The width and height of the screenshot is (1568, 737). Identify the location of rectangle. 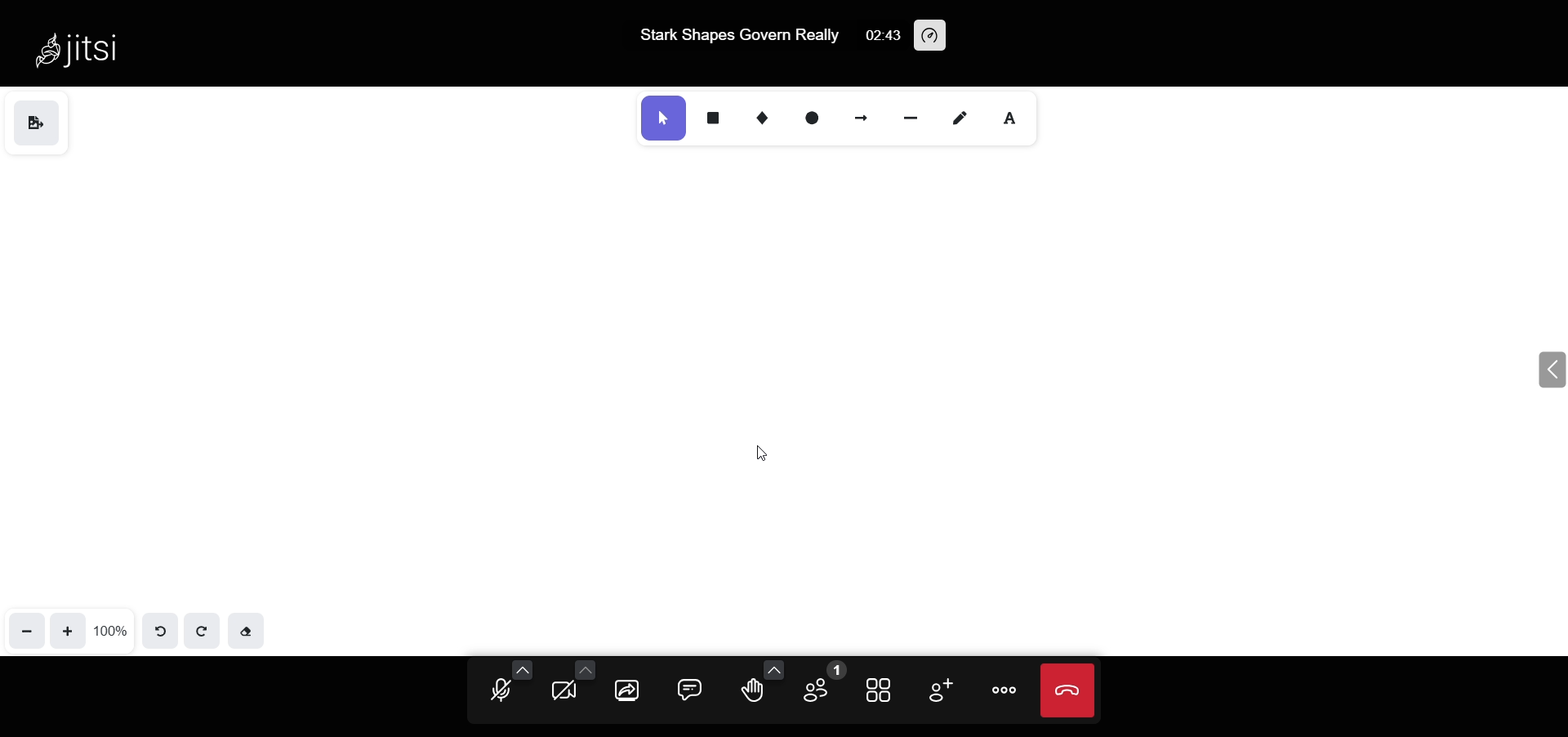
(712, 117).